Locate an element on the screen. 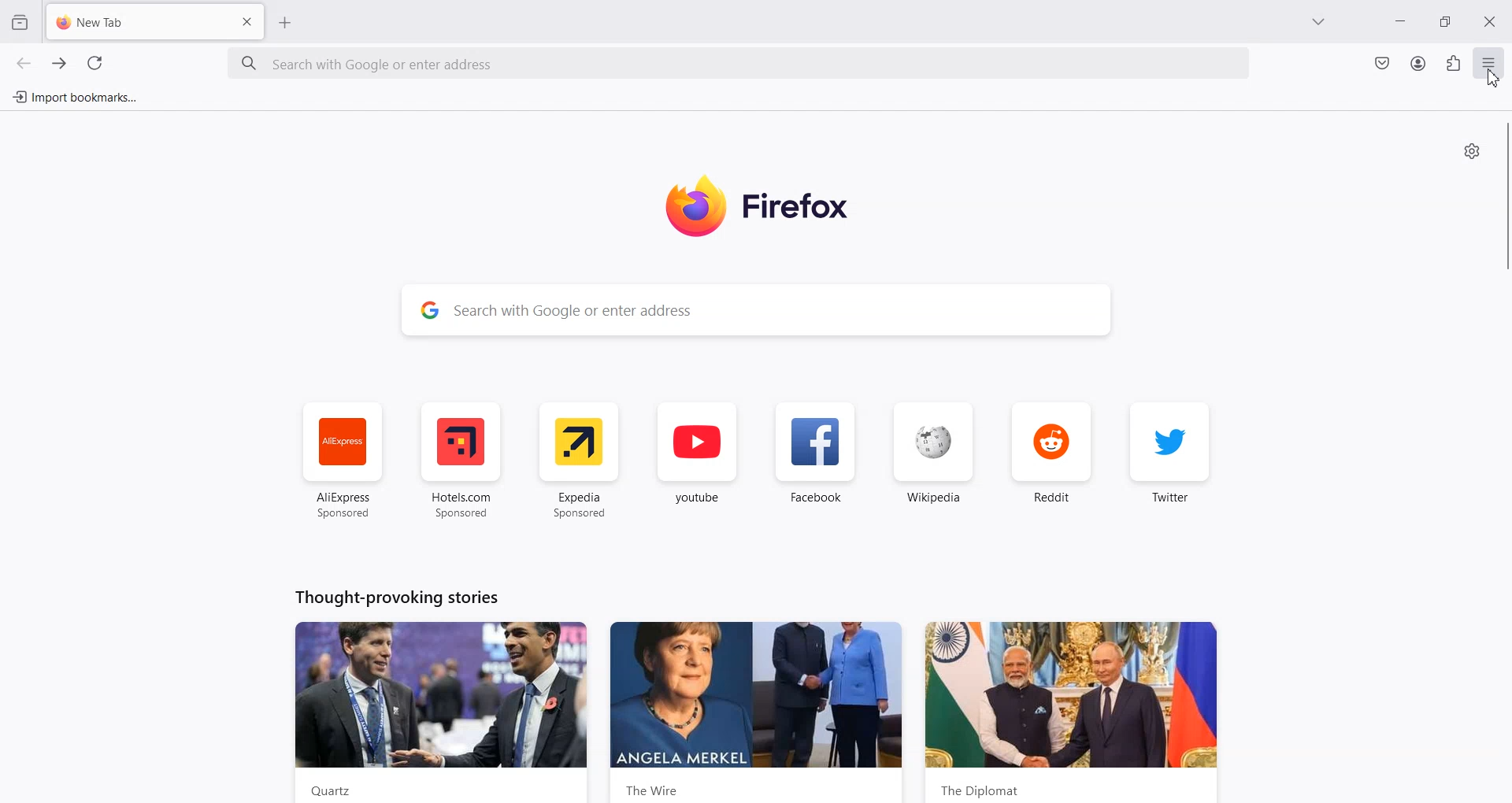 This screenshot has width=1512, height=803. The wire news is located at coordinates (762, 705).